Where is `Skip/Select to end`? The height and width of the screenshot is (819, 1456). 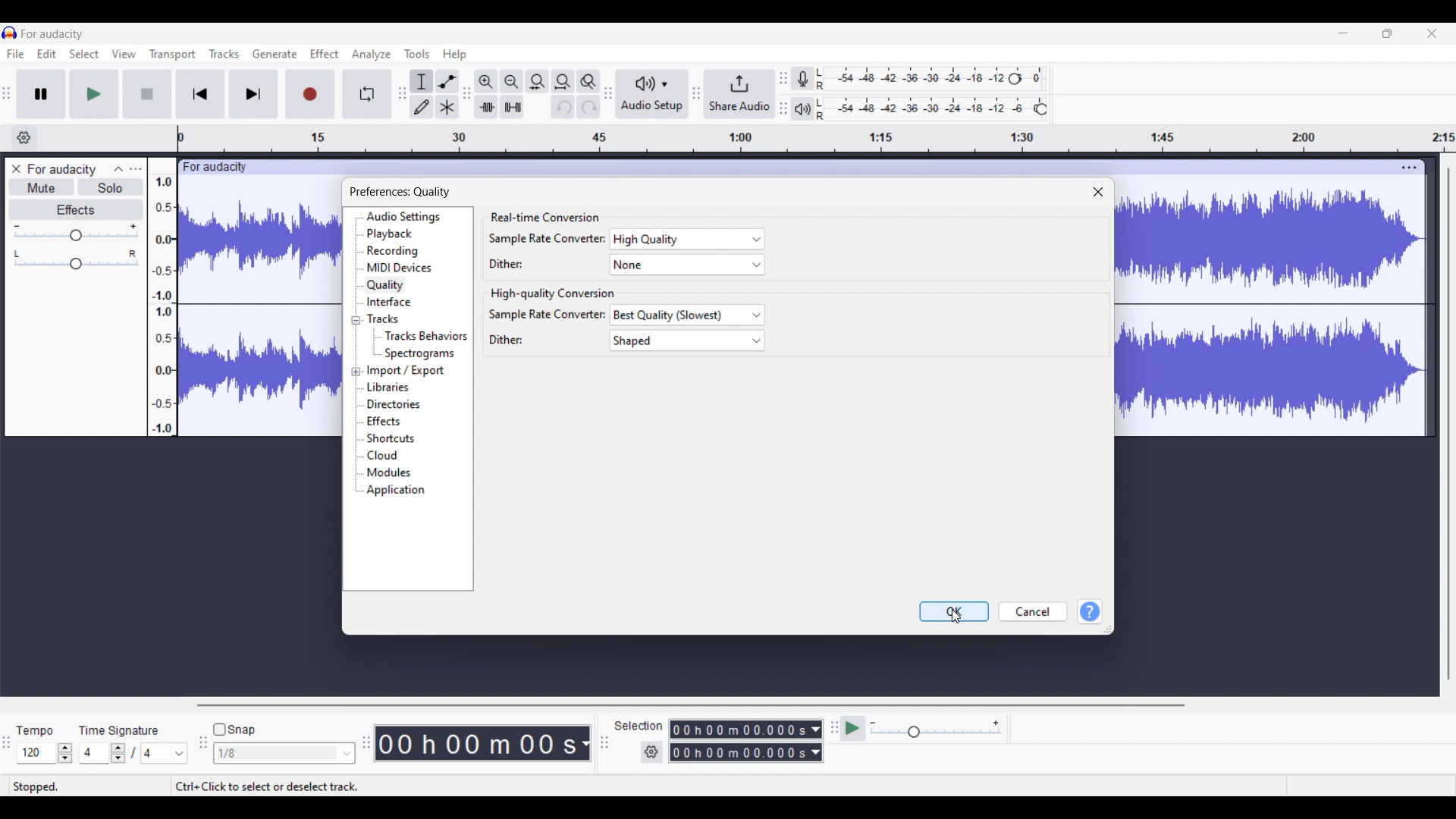
Skip/Select to end is located at coordinates (253, 94).